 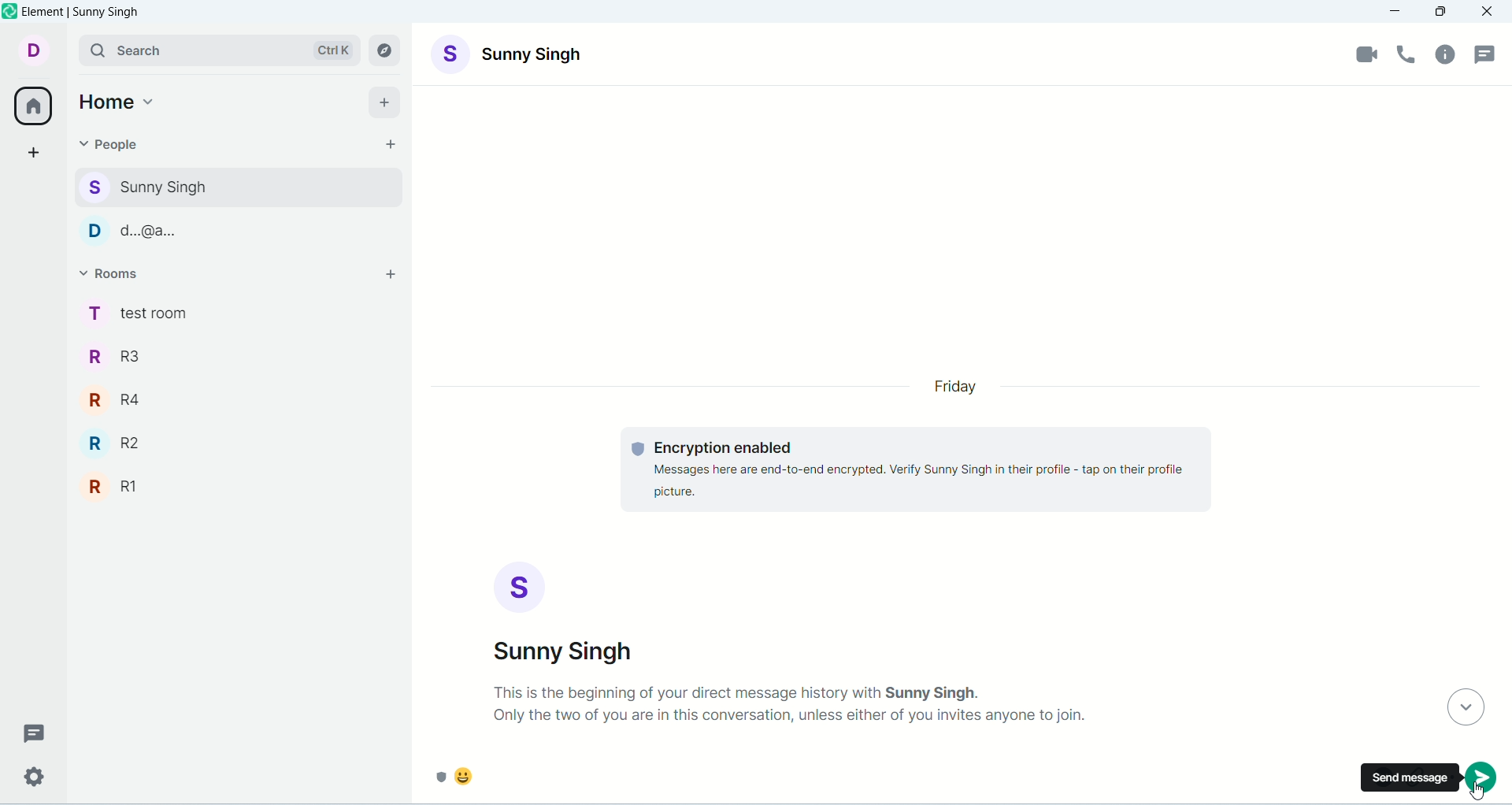 What do you see at coordinates (32, 107) in the screenshot?
I see `home` at bounding box center [32, 107].